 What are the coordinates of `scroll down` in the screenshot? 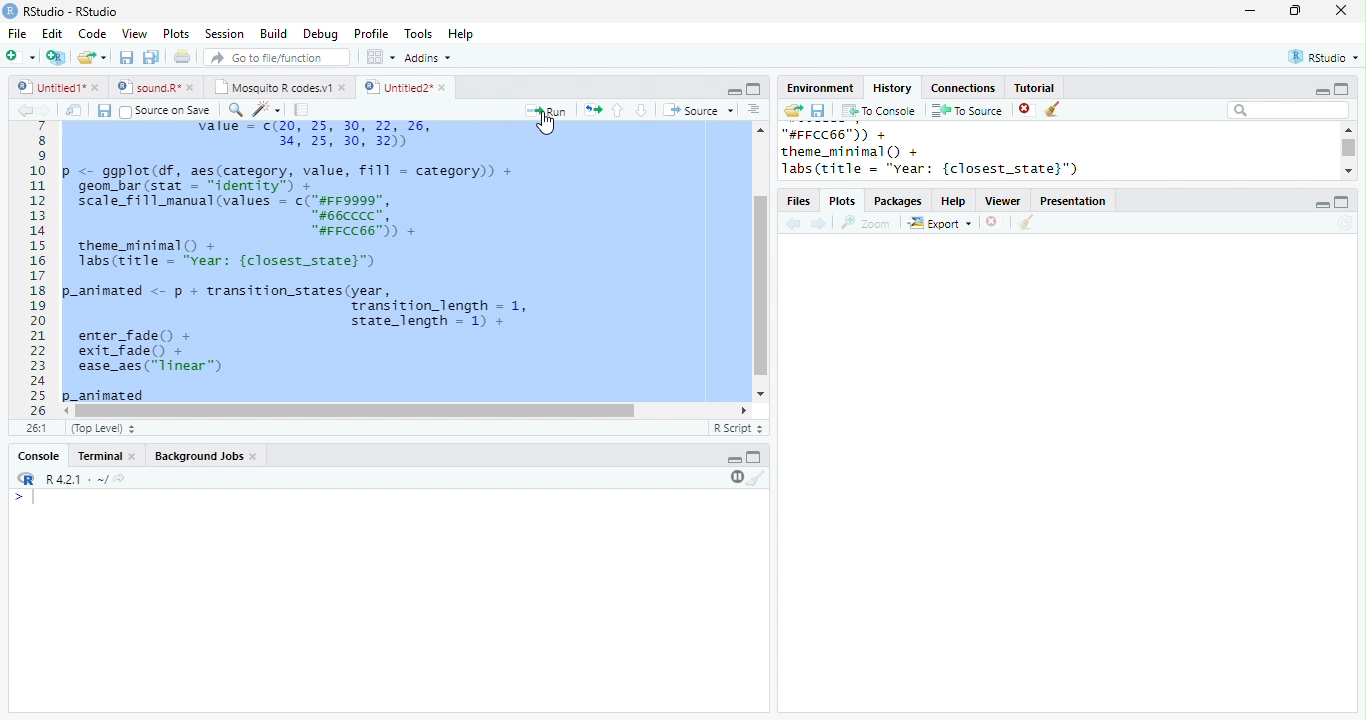 It's located at (761, 393).